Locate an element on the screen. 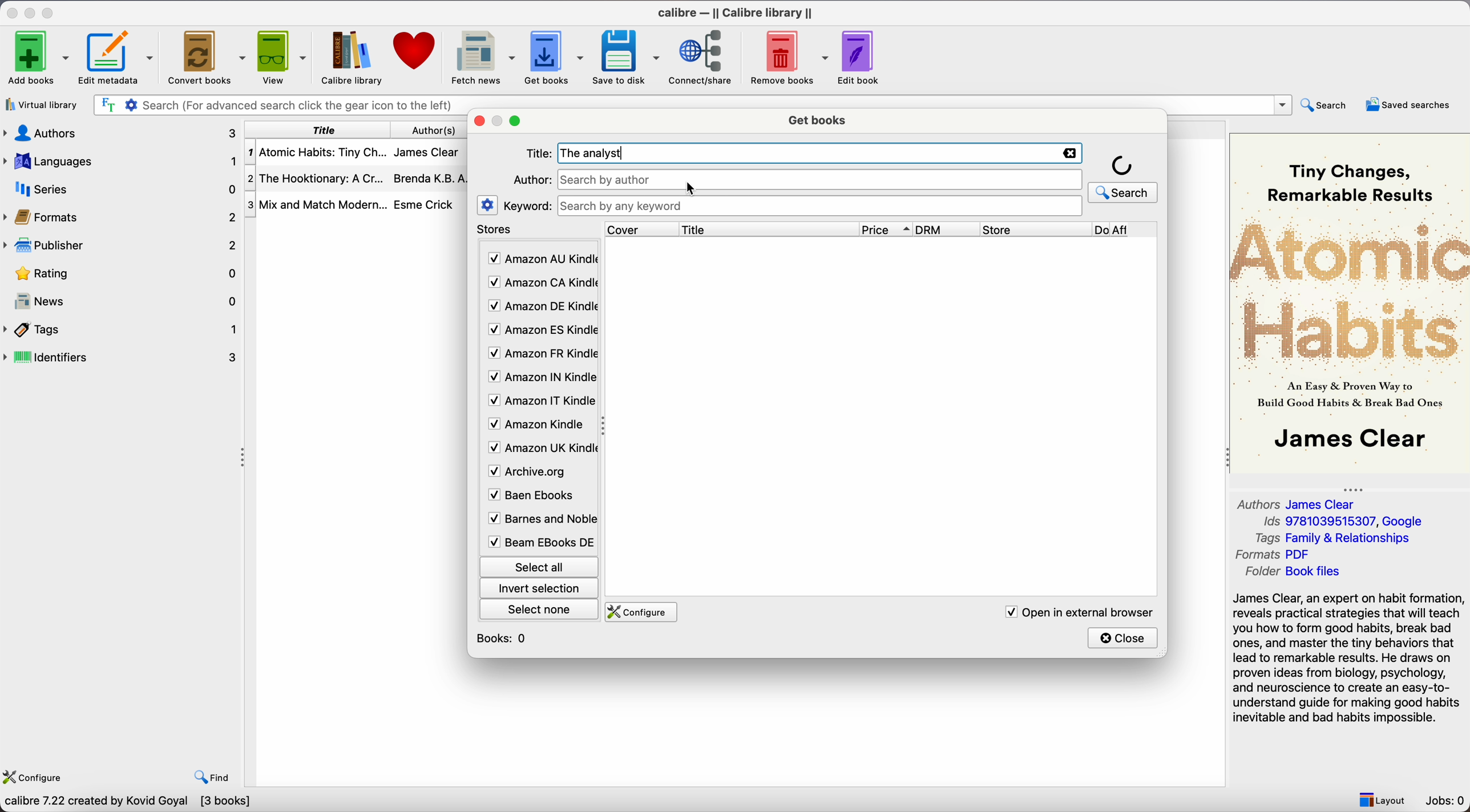  Barnes and Noble is located at coordinates (538, 521).